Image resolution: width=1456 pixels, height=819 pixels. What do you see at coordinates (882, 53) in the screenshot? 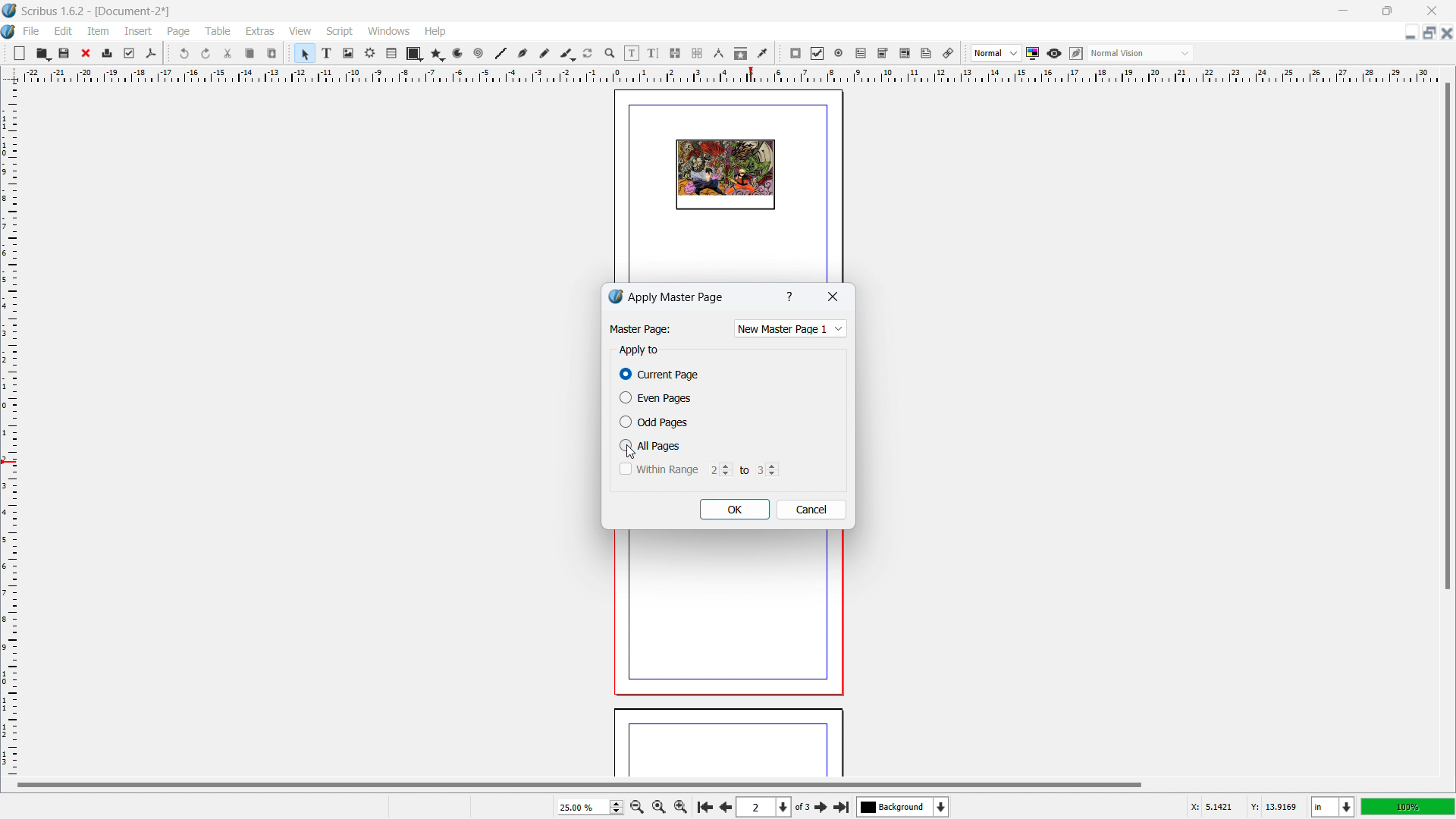
I see `pdf combo box` at bounding box center [882, 53].